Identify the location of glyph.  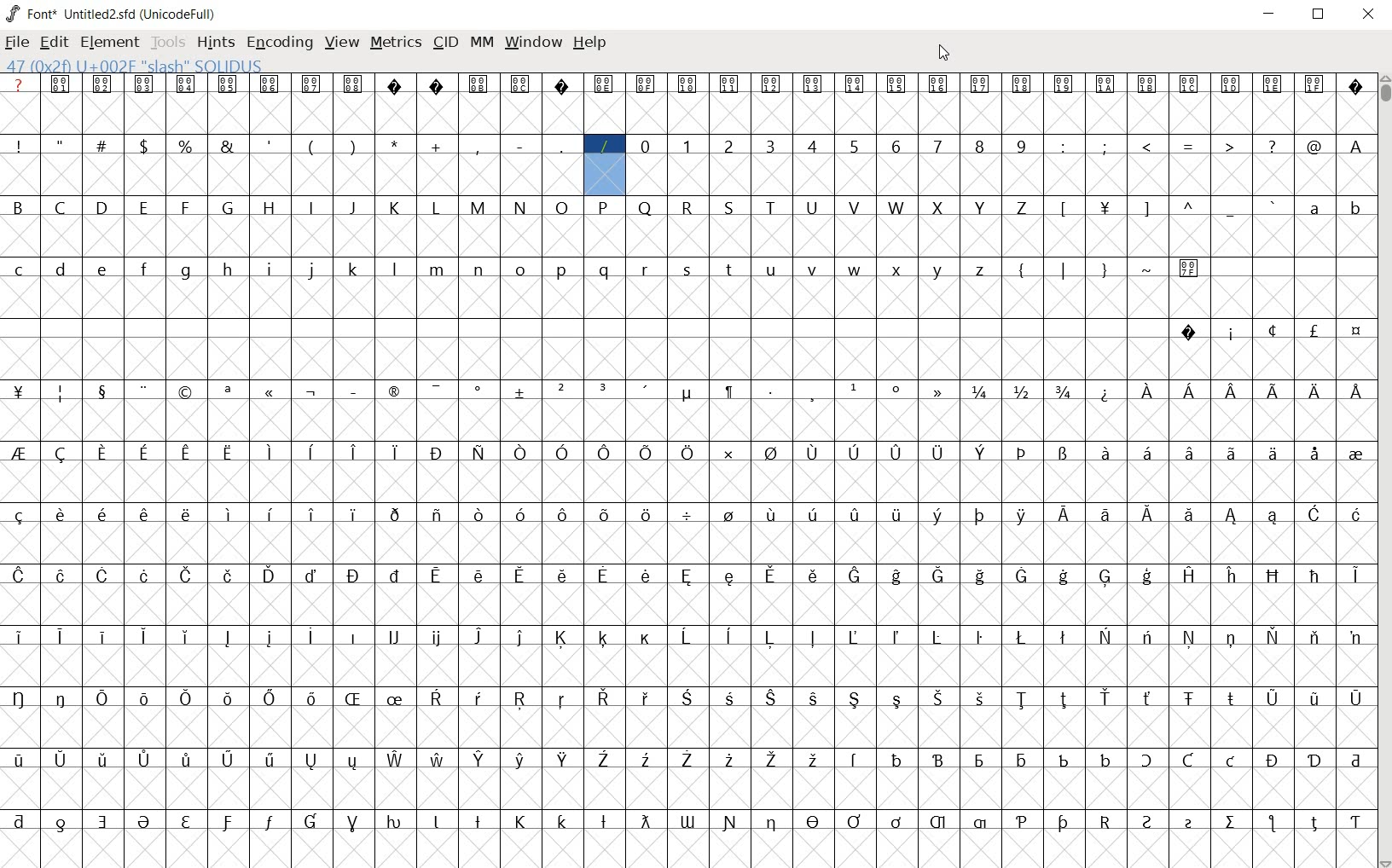
(60, 269).